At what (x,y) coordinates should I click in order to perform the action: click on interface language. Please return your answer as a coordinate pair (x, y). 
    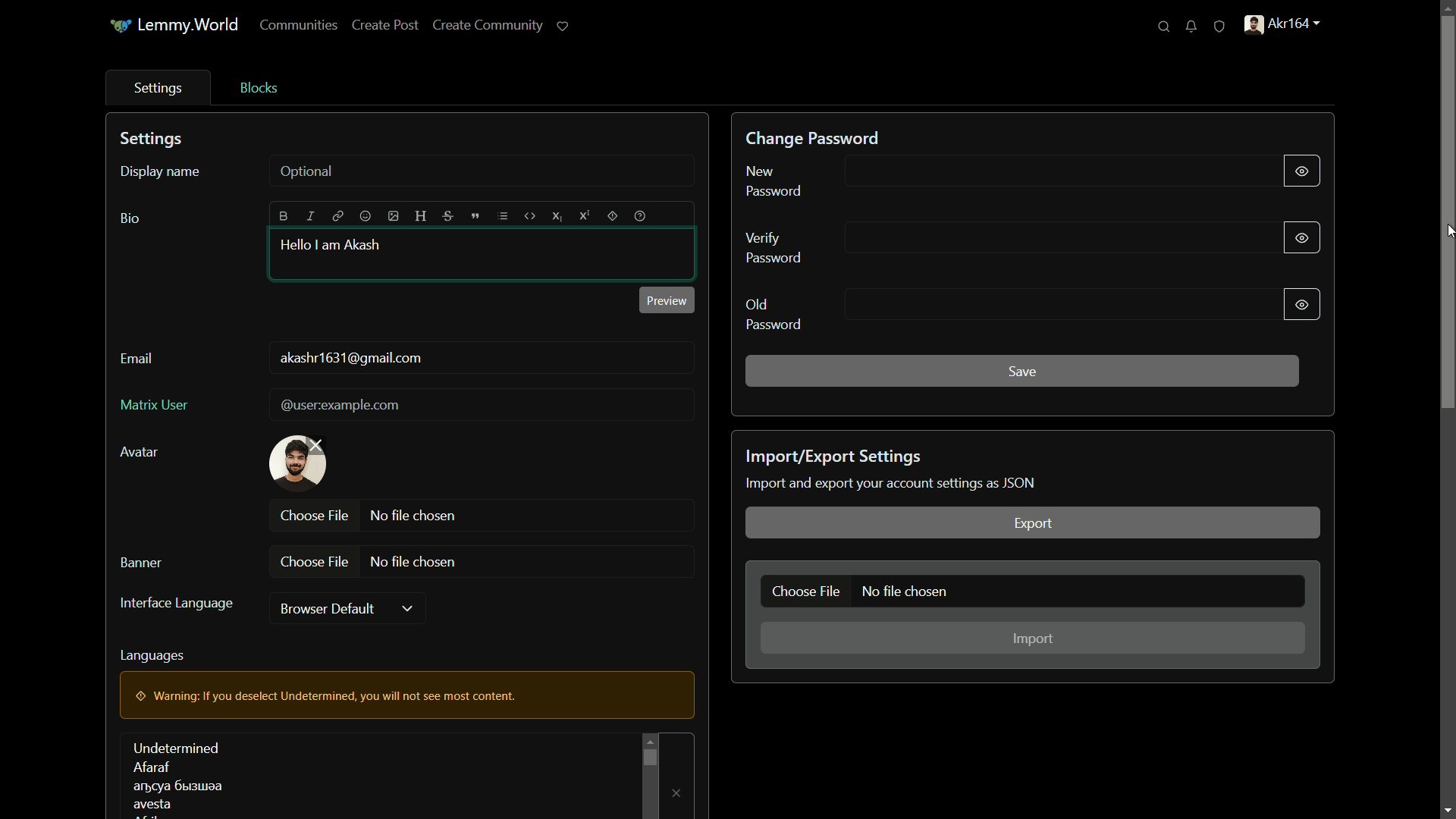
    Looking at the image, I should click on (178, 604).